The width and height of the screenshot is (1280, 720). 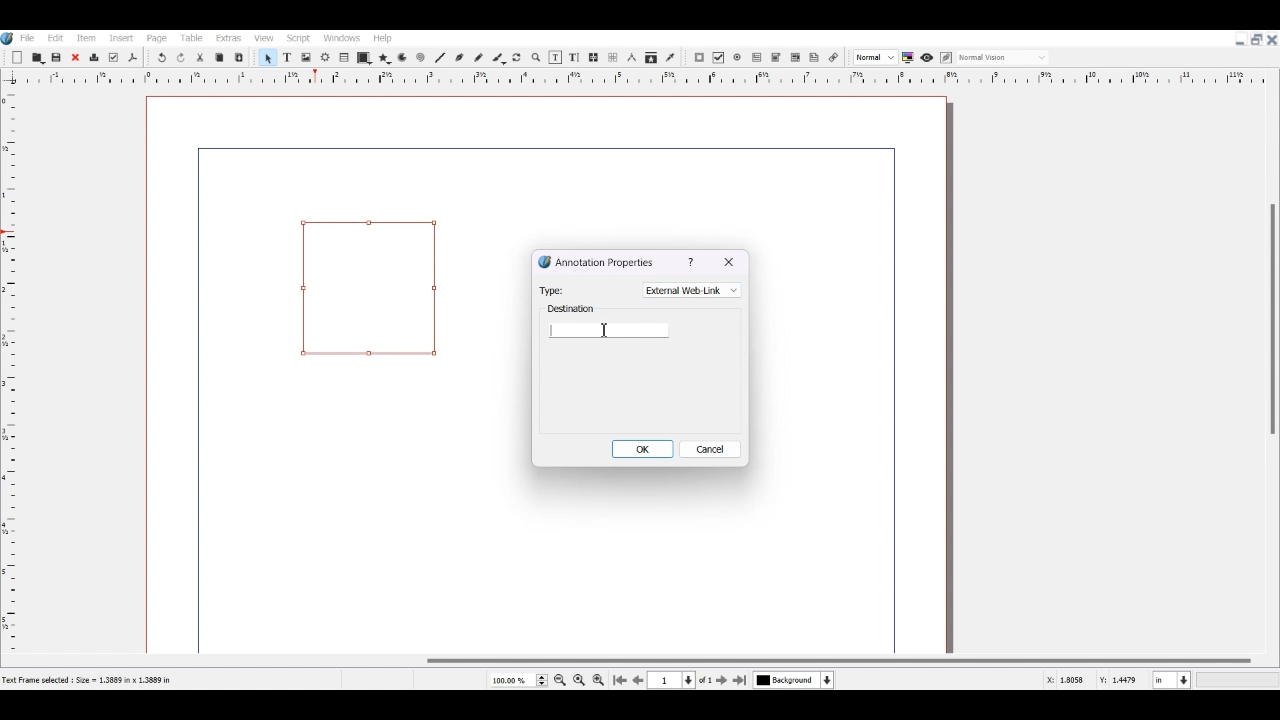 What do you see at coordinates (267, 57) in the screenshot?
I see `Select Item` at bounding box center [267, 57].